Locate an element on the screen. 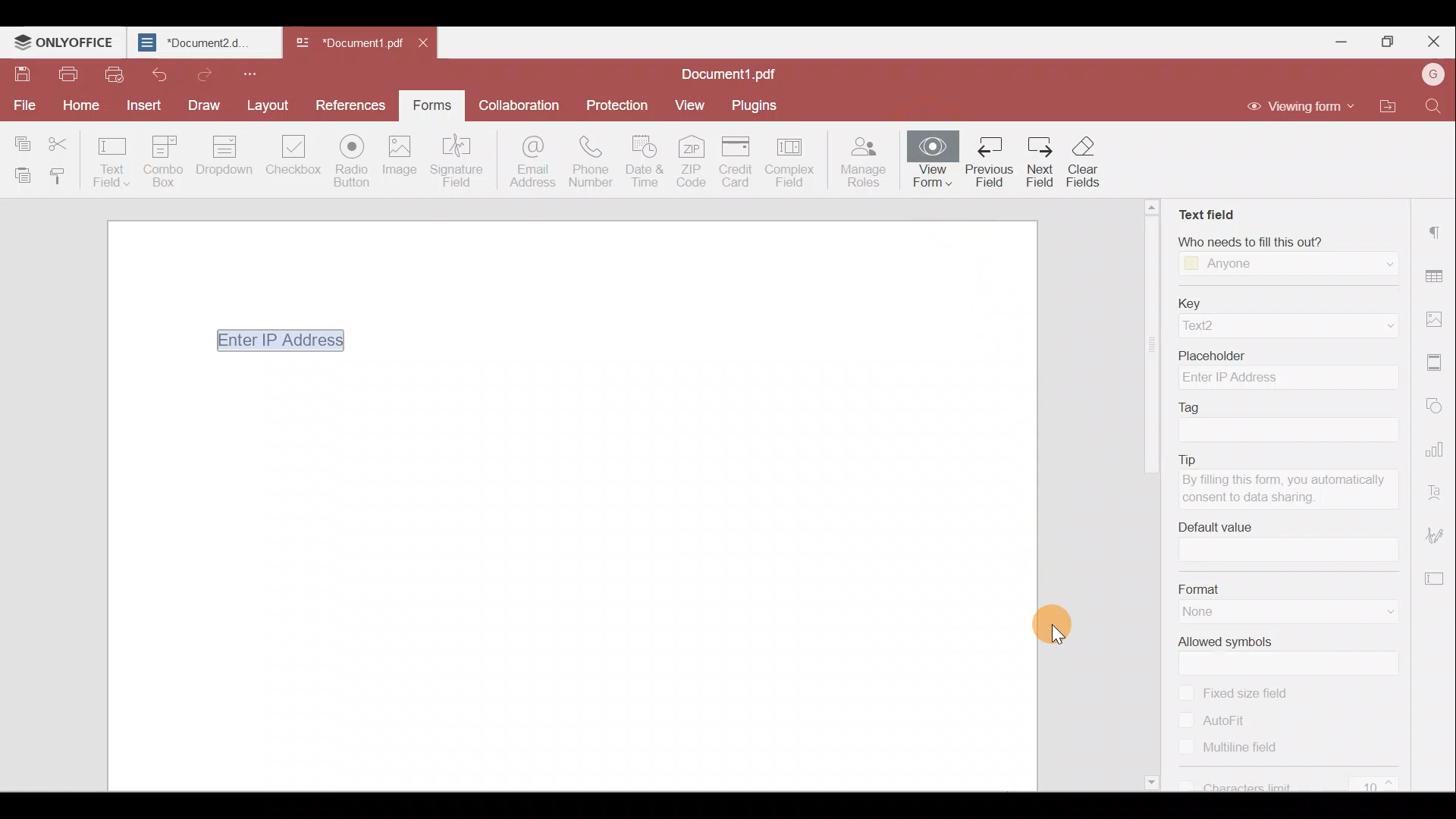 The width and height of the screenshot is (1456, 819). Drop down is located at coordinates (231, 157).